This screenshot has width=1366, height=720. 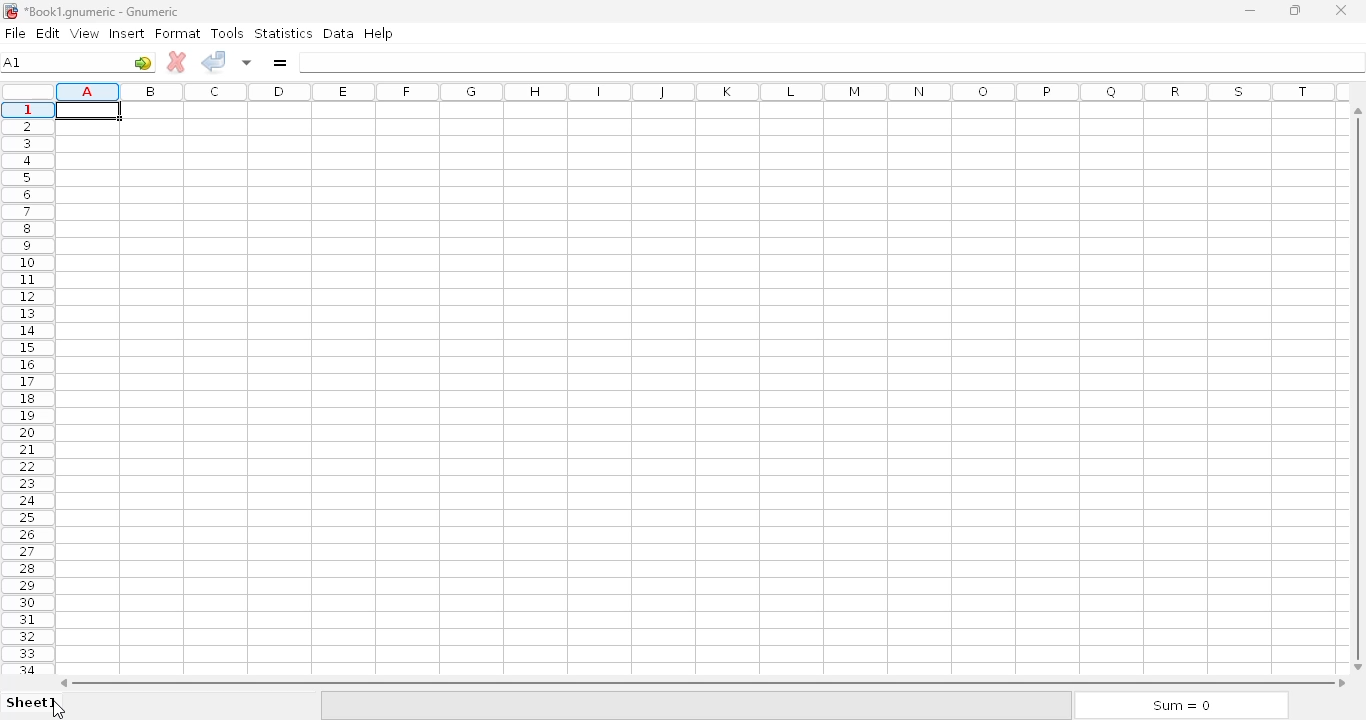 What do you see at coordinates (283, 33) in the screenshot?
I see `statistics` at bounding box center [283, 33].